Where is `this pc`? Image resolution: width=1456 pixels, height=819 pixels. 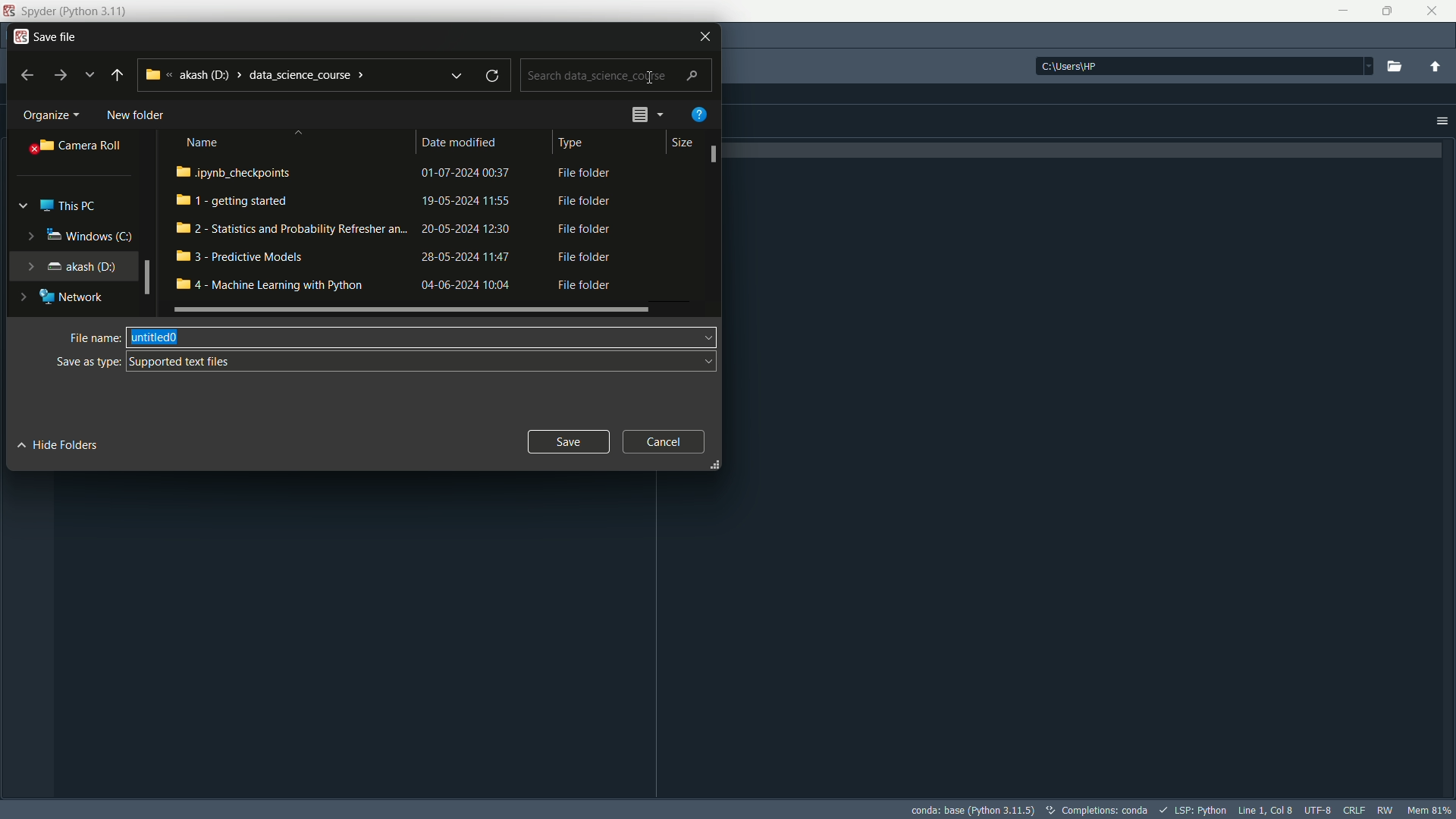 this pc is located at coordinates (68, 206).